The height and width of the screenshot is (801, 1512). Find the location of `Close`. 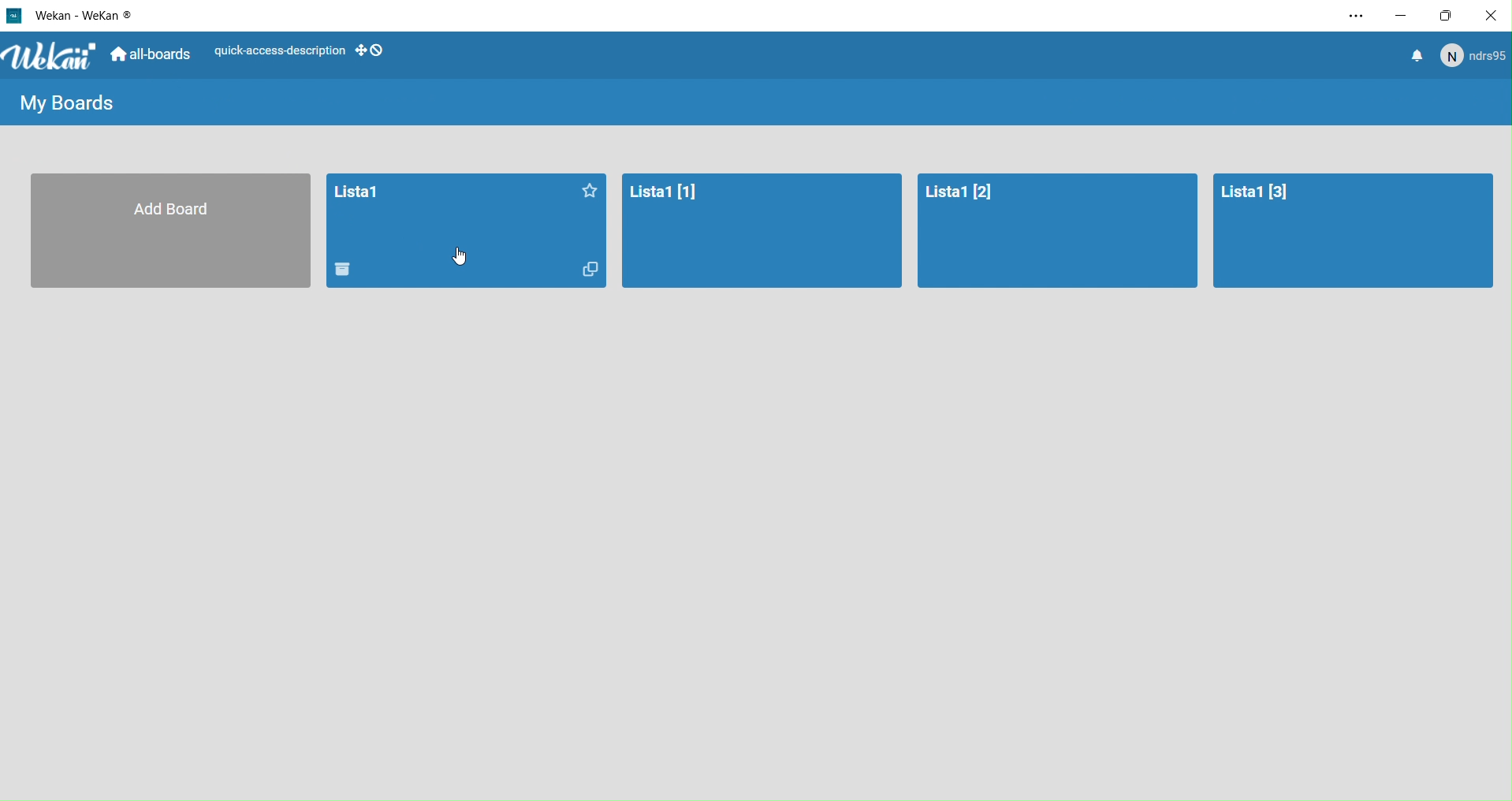

Close is located at coordinates (1493, 15).